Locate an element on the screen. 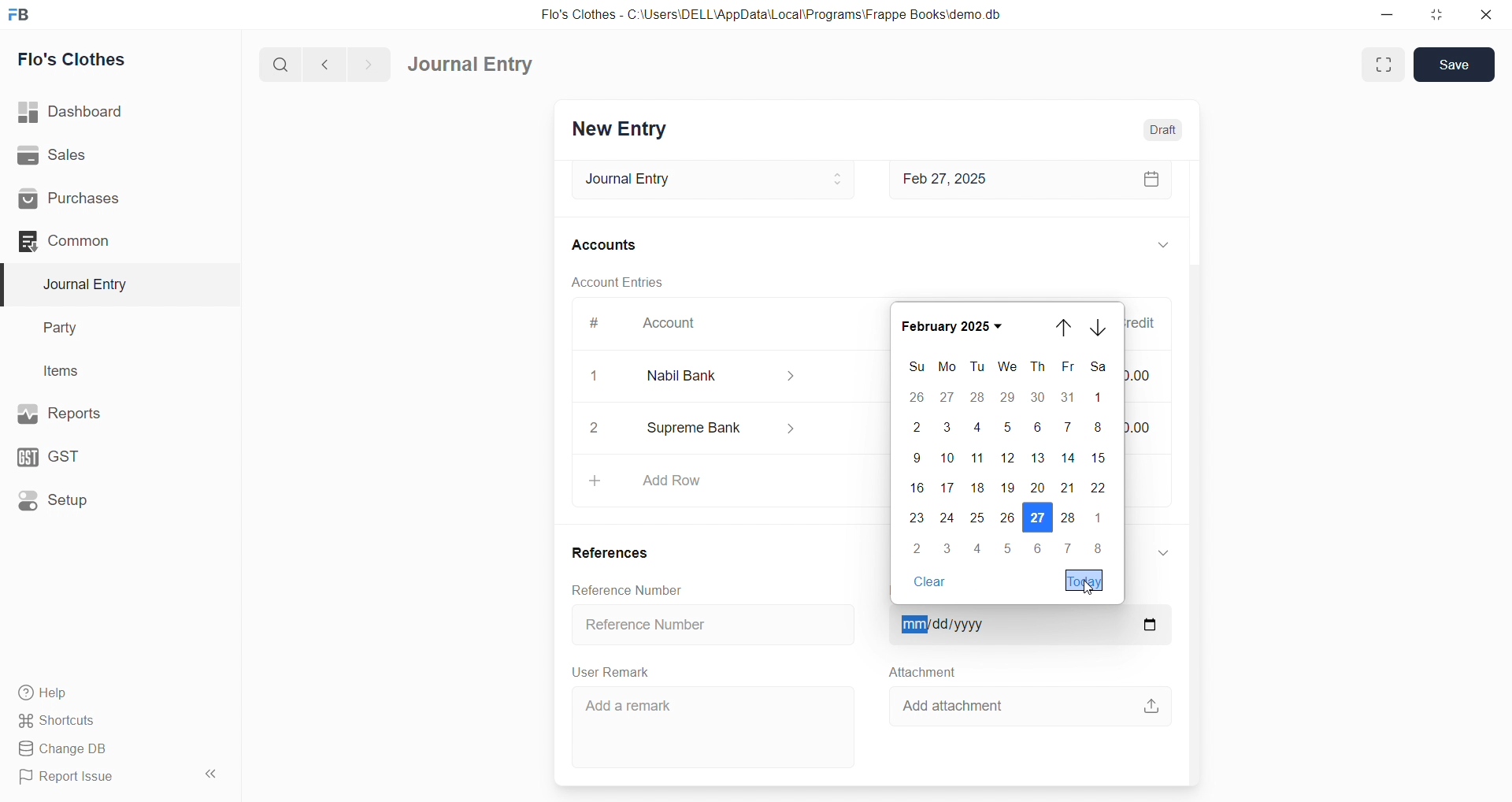  28 is located at coordinates (1068, 518).